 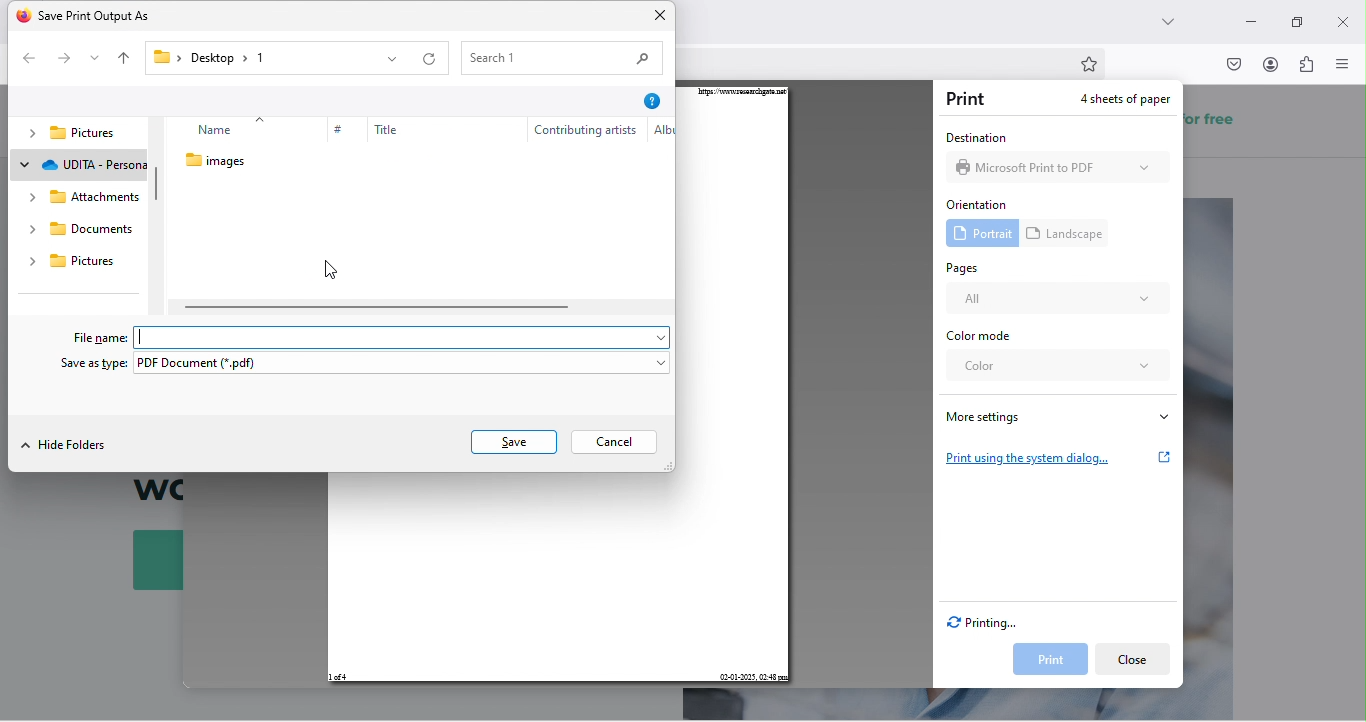 What do you see at coordinates (62, 59) in the screenshot?
I see `forward` at bounding box center [62, 59].